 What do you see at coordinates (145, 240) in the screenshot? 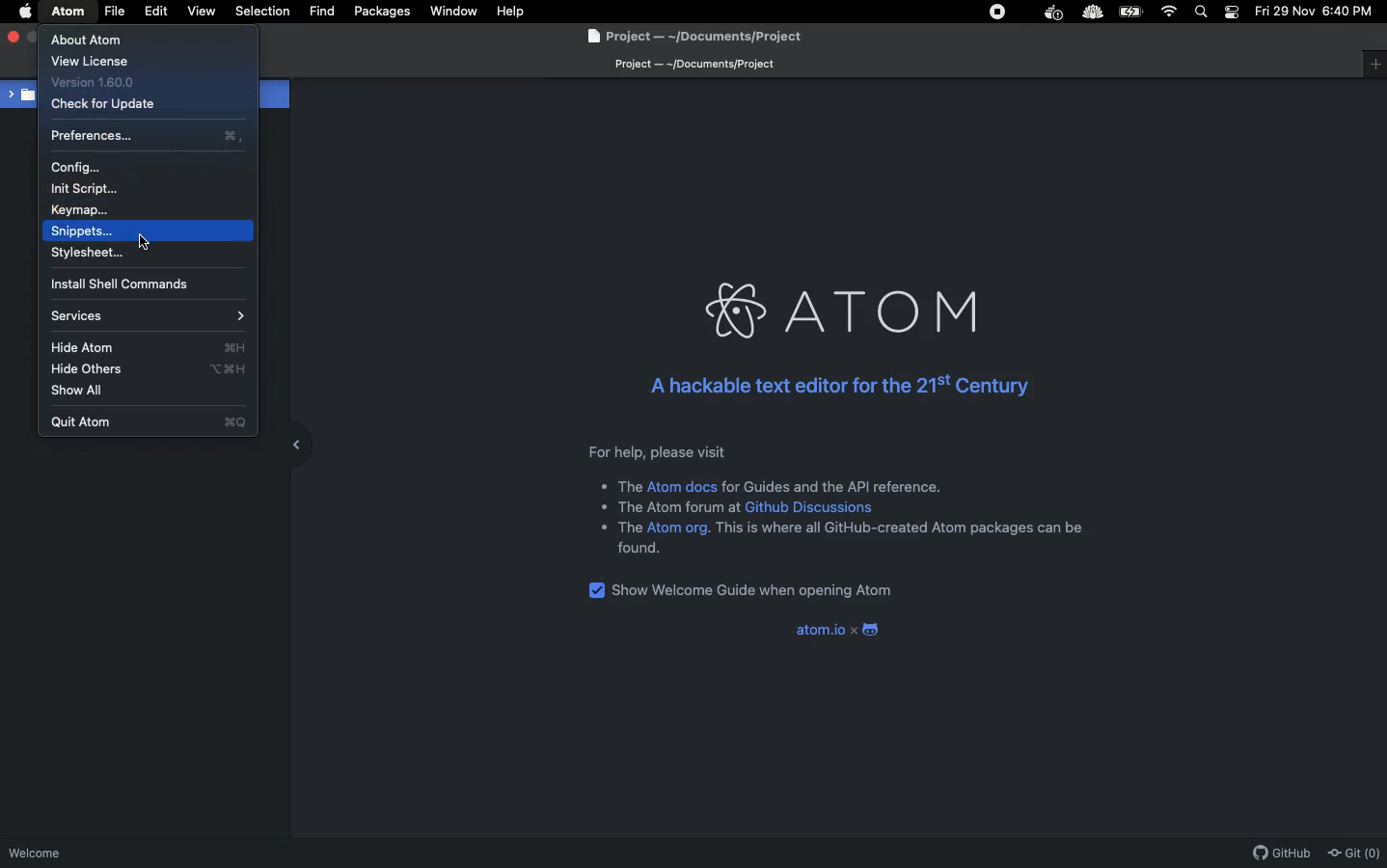
I see `cursor` at bounding box center [145, 240].